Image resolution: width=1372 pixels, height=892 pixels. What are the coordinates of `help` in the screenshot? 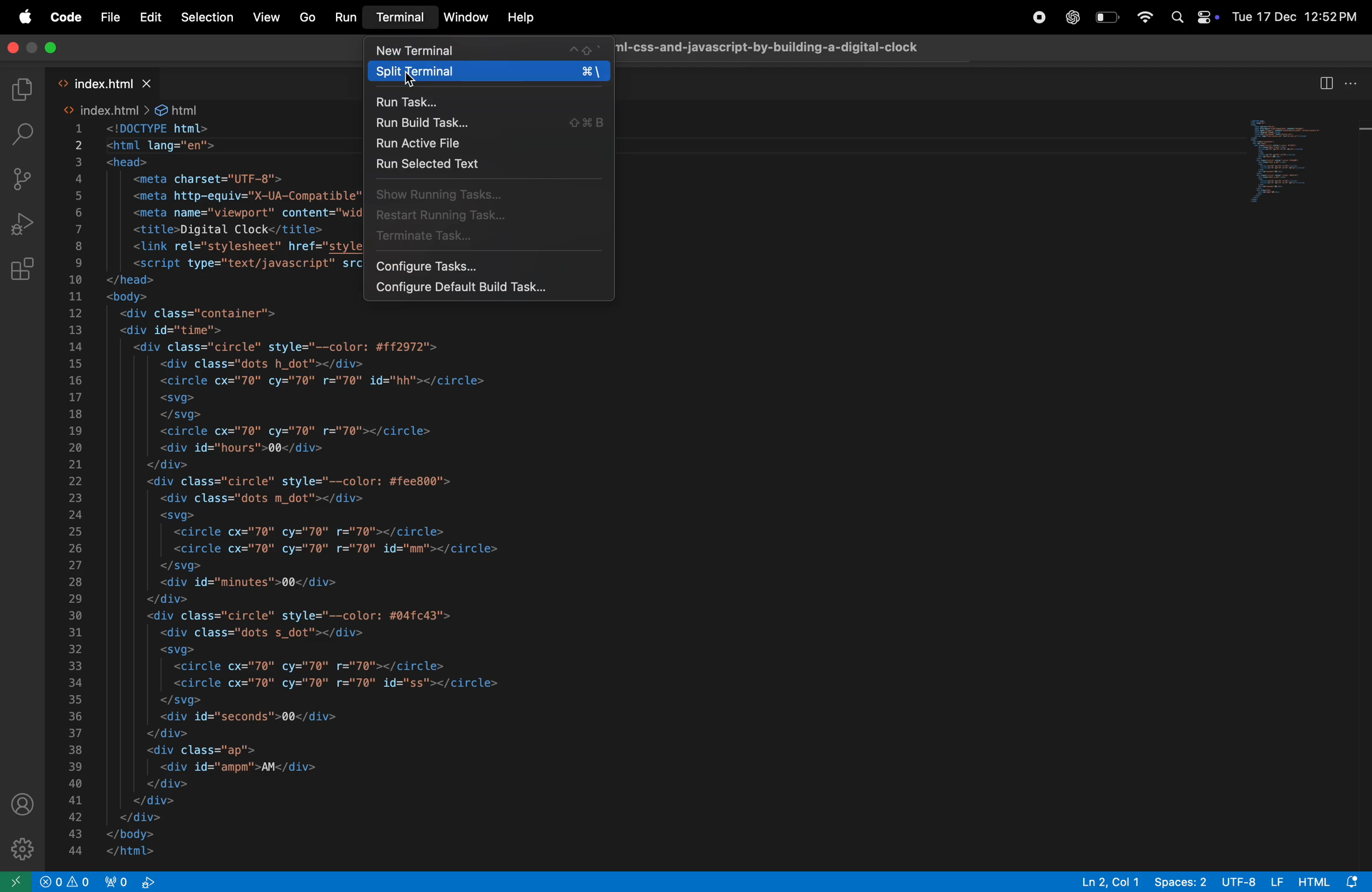 It's located at (519, 18).